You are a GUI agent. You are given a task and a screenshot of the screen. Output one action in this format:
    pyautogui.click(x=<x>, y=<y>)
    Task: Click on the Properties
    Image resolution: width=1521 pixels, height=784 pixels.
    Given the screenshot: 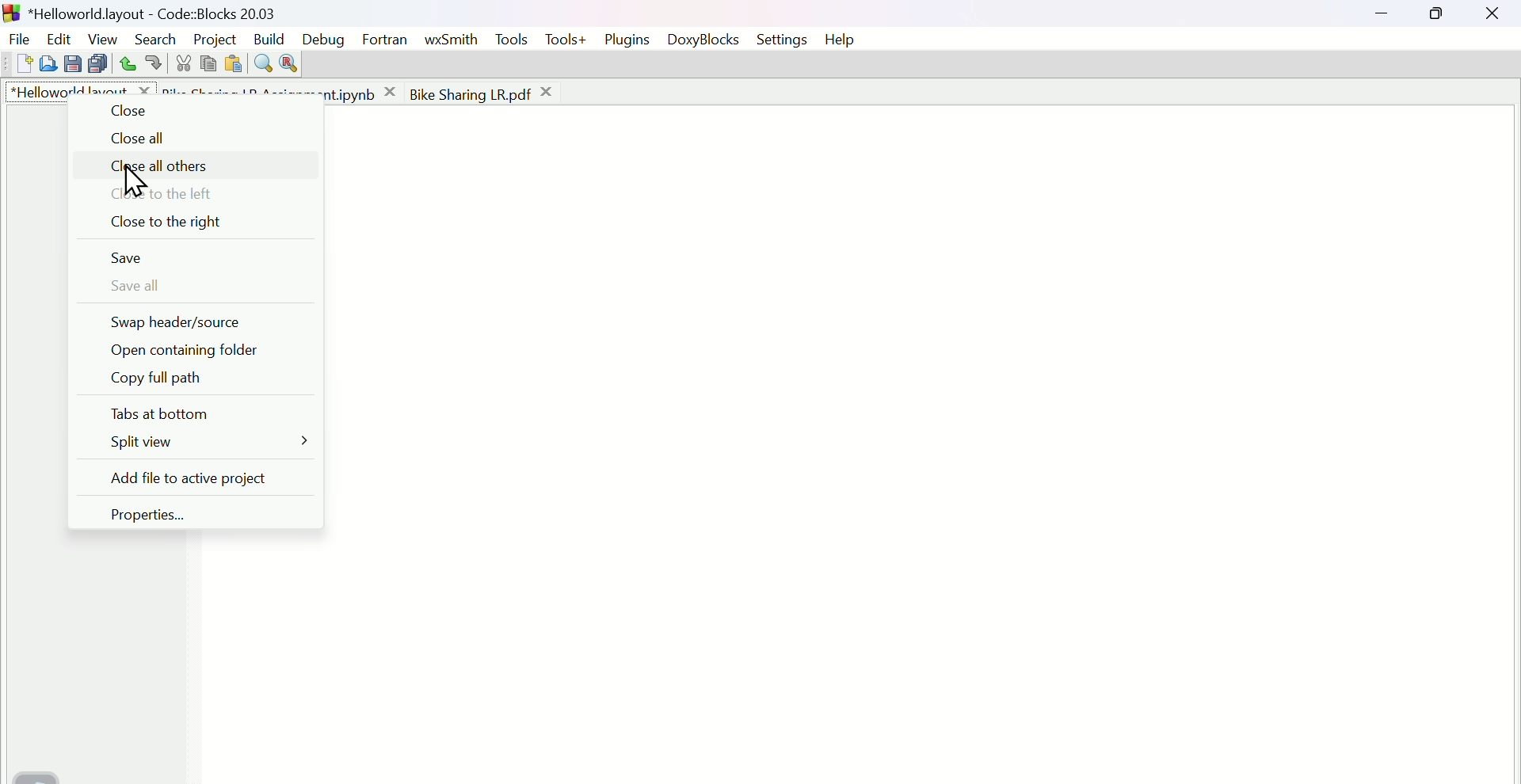 What is the action you would take?
    pyautogui.click(x=156, y=512)
    